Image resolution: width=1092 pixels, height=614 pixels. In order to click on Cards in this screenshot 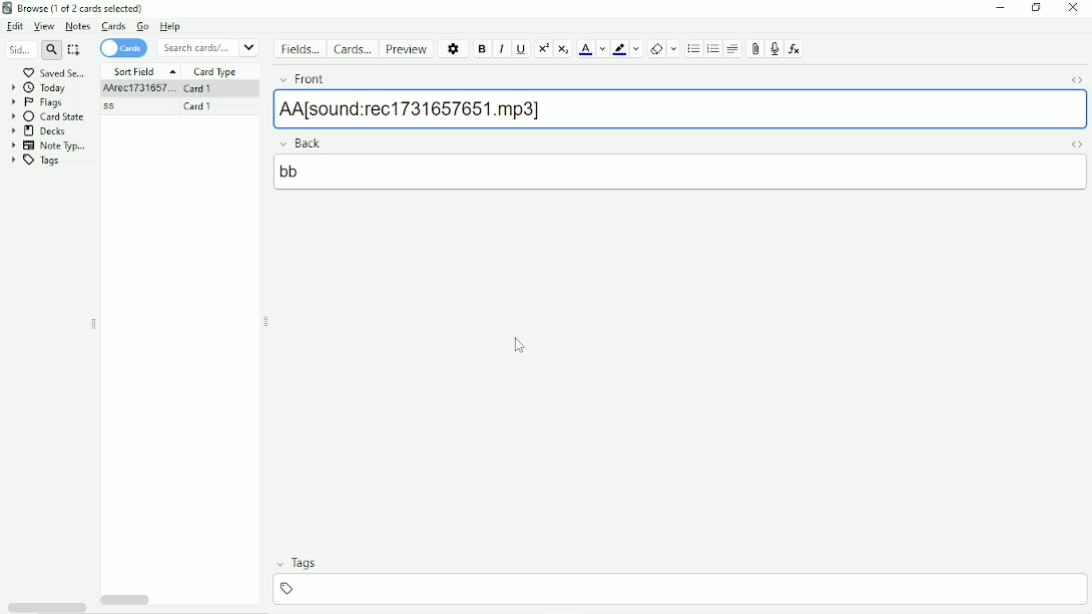, I will do `click(123, 48)`.